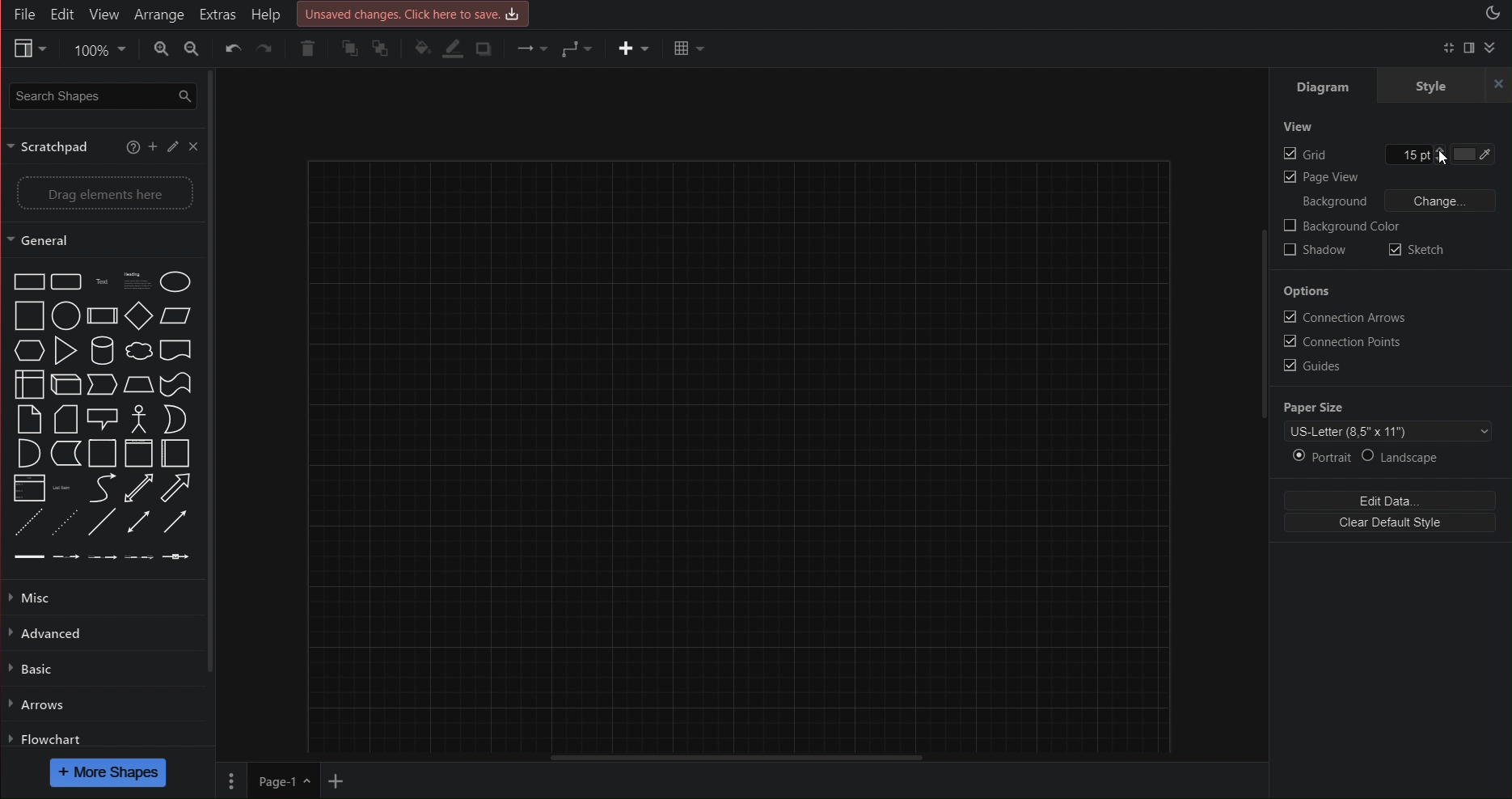  Describe the element at coordinates (453, 47) in the screenshot. I see `Line Color` at that location.